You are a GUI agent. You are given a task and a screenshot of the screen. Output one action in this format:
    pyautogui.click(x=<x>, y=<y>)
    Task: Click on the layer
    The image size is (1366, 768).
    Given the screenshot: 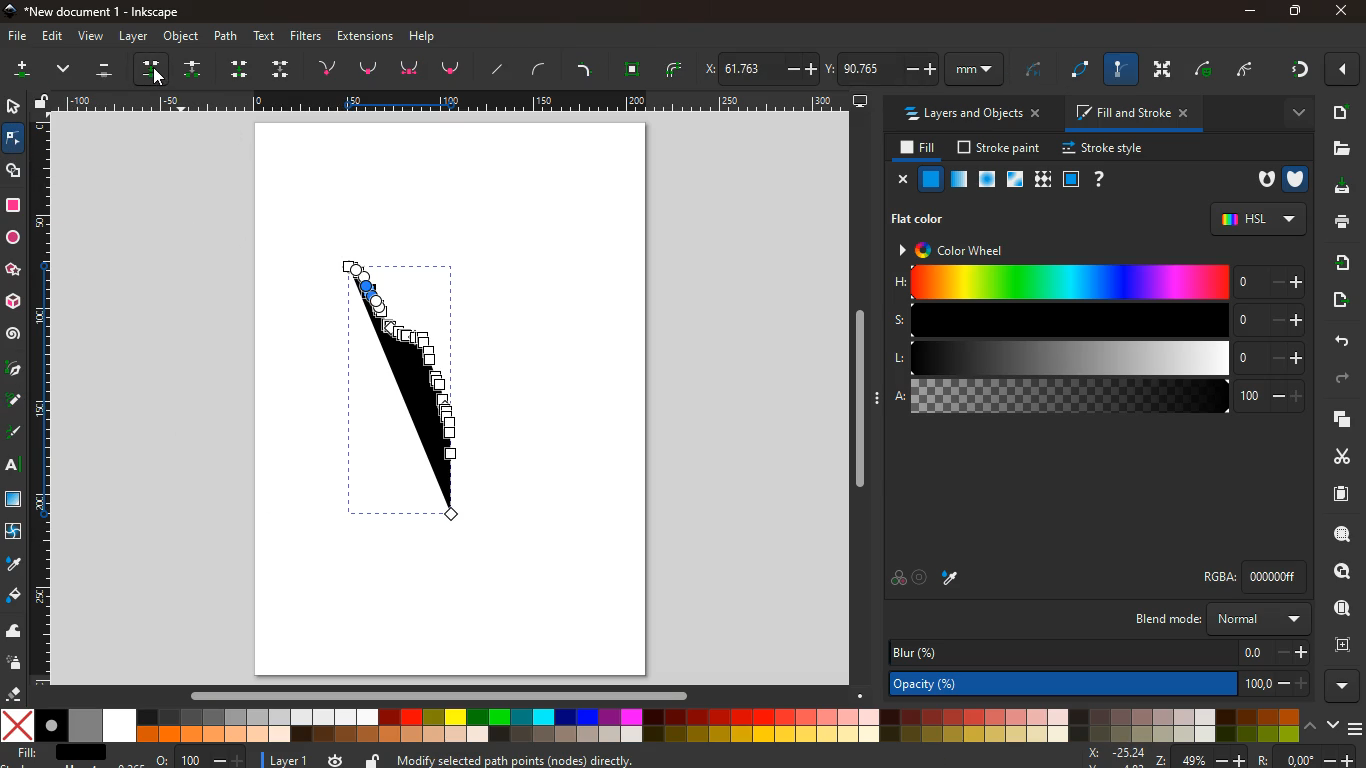 What is the action you would take?
    pyautogui.click(x=134, y=36)
    